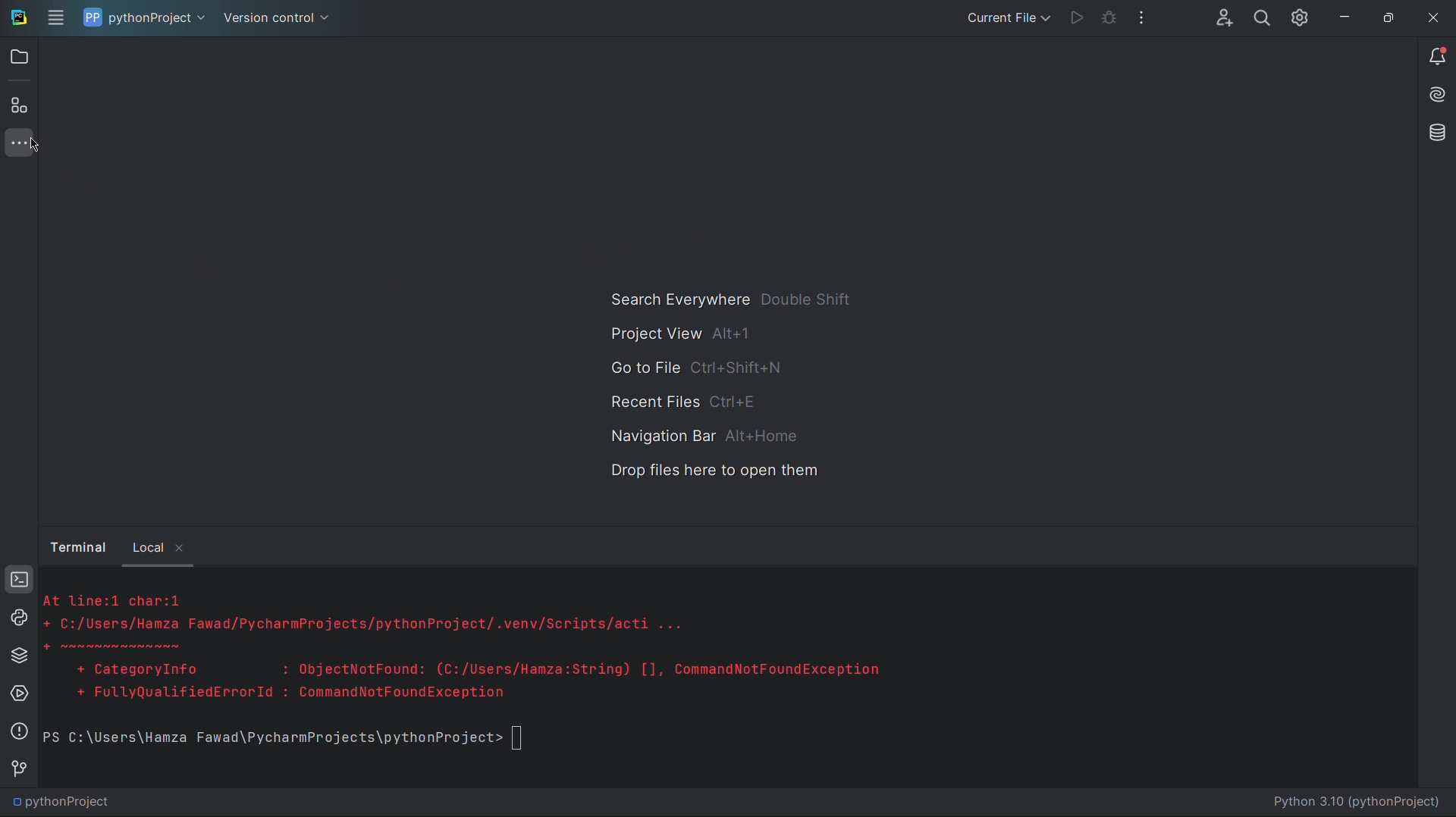 Image resolution: width=1456 pixels, height=817 pixels. What do you see at coordinates (64, 805) in the screenshot?
I see `pythonProject` at bounding box center [64, 805].